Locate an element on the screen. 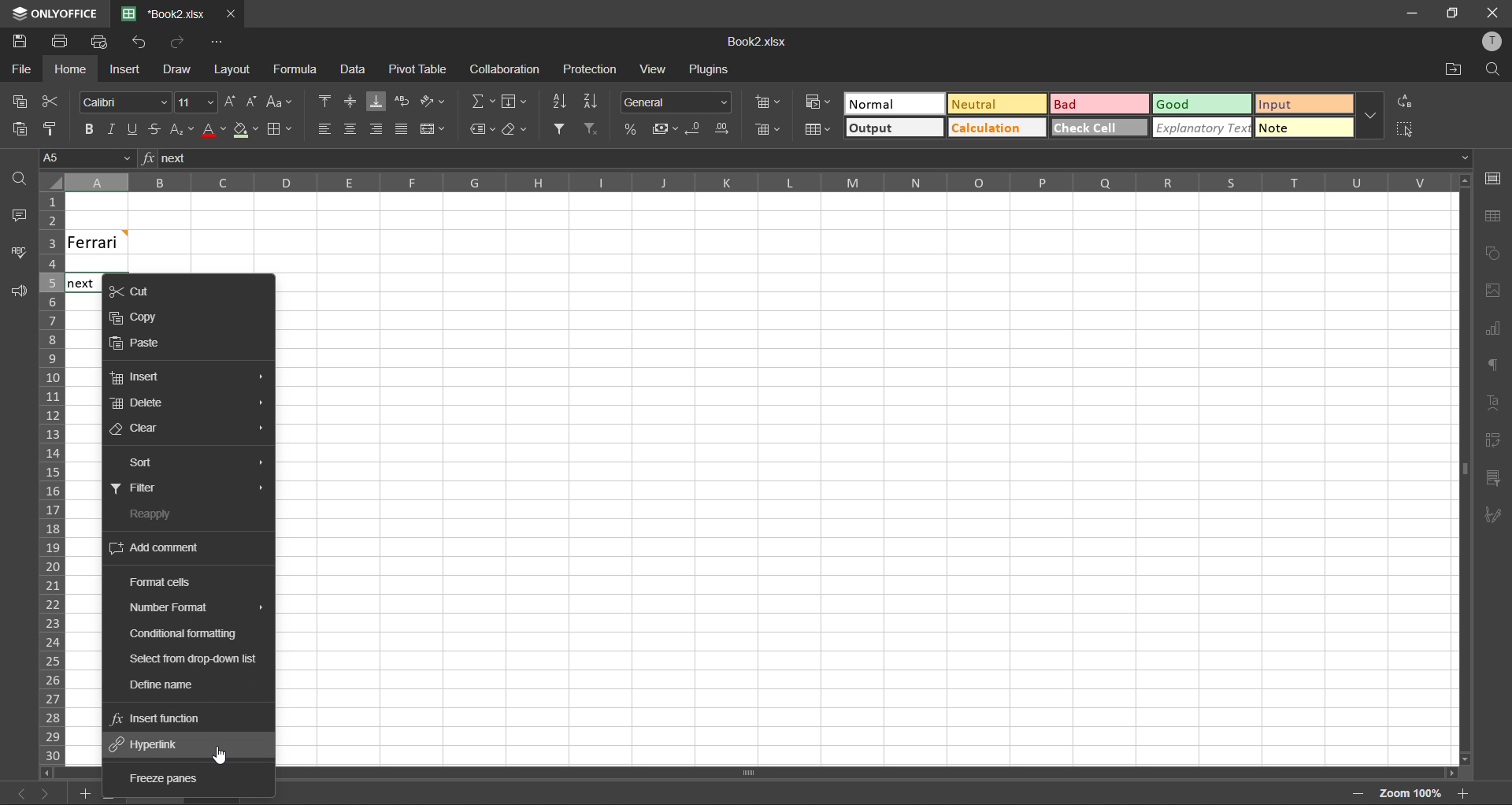  open location is located at coordinates (1455, 70).